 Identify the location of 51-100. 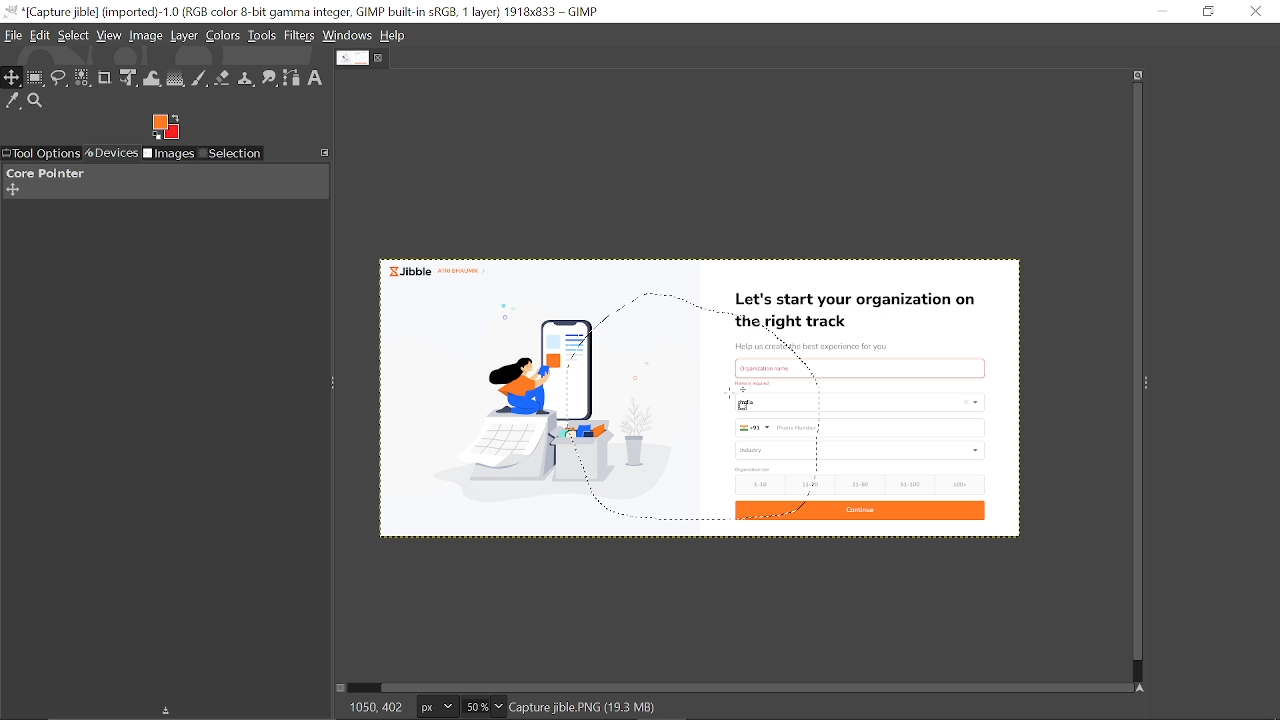
(909, 485).